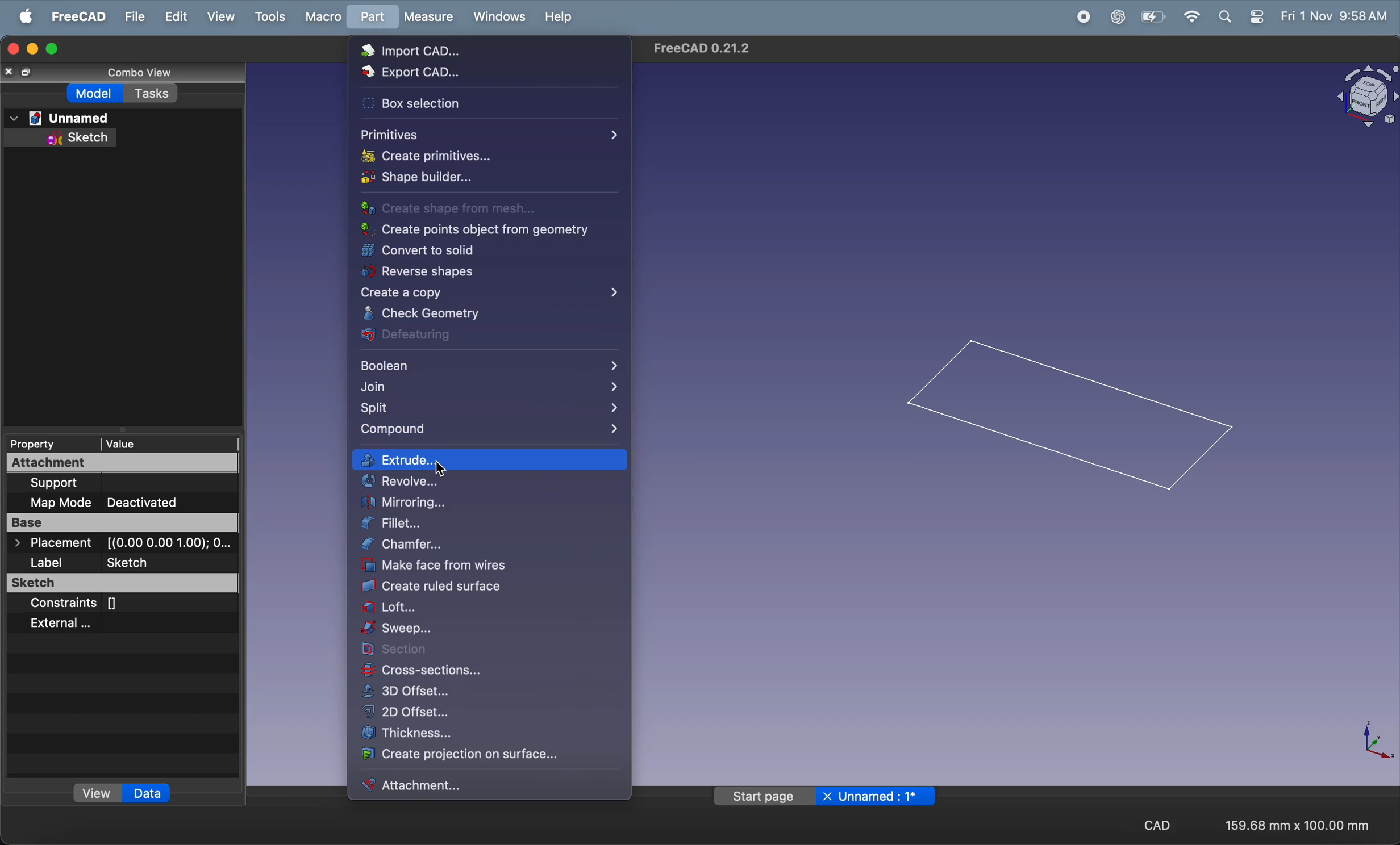  Describe the element at coordinates (490, 294) in the screenshot. I see `create a copy` at that location.